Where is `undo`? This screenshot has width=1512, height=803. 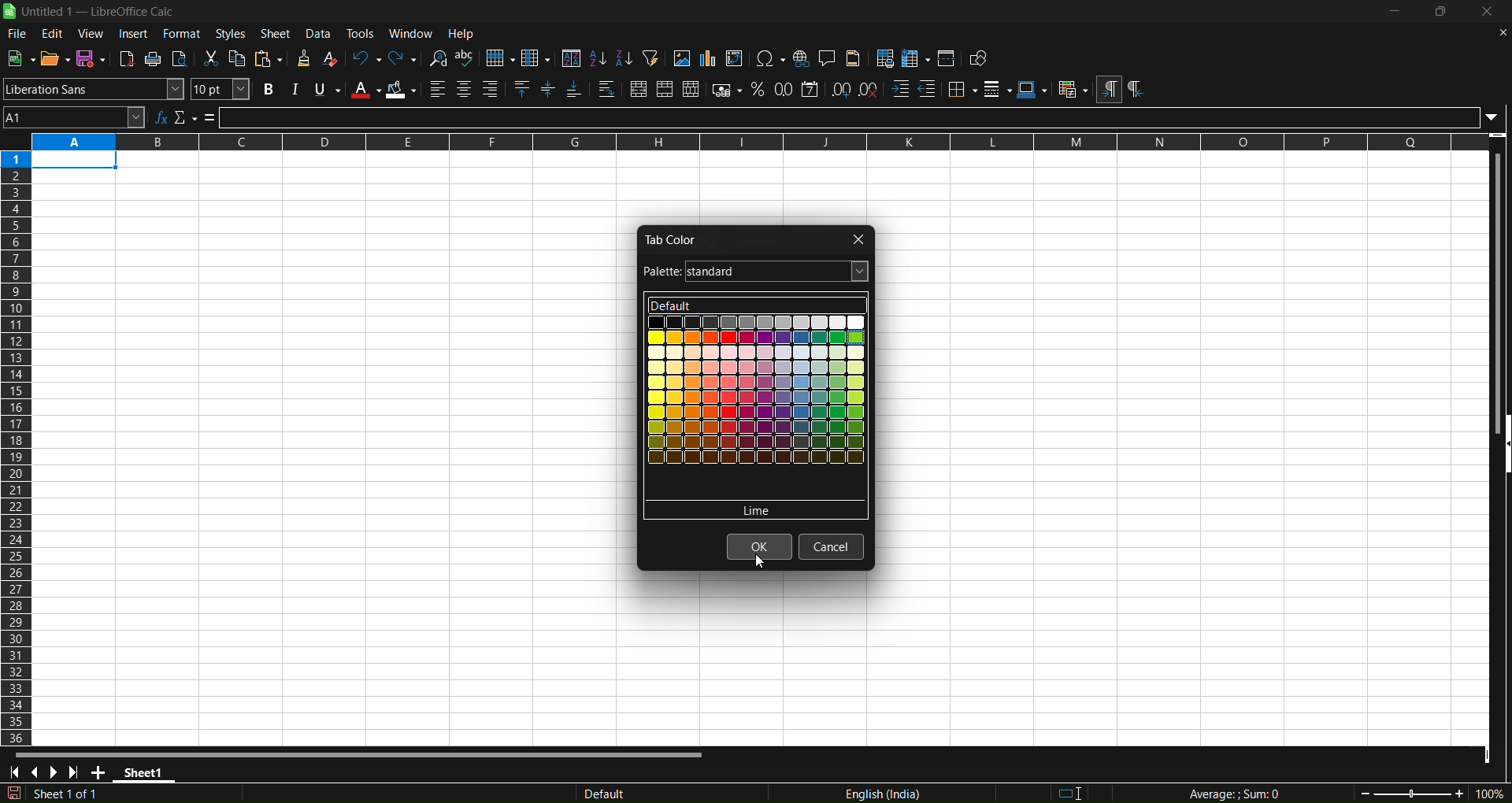 undo is located at coordinates (365, 57).